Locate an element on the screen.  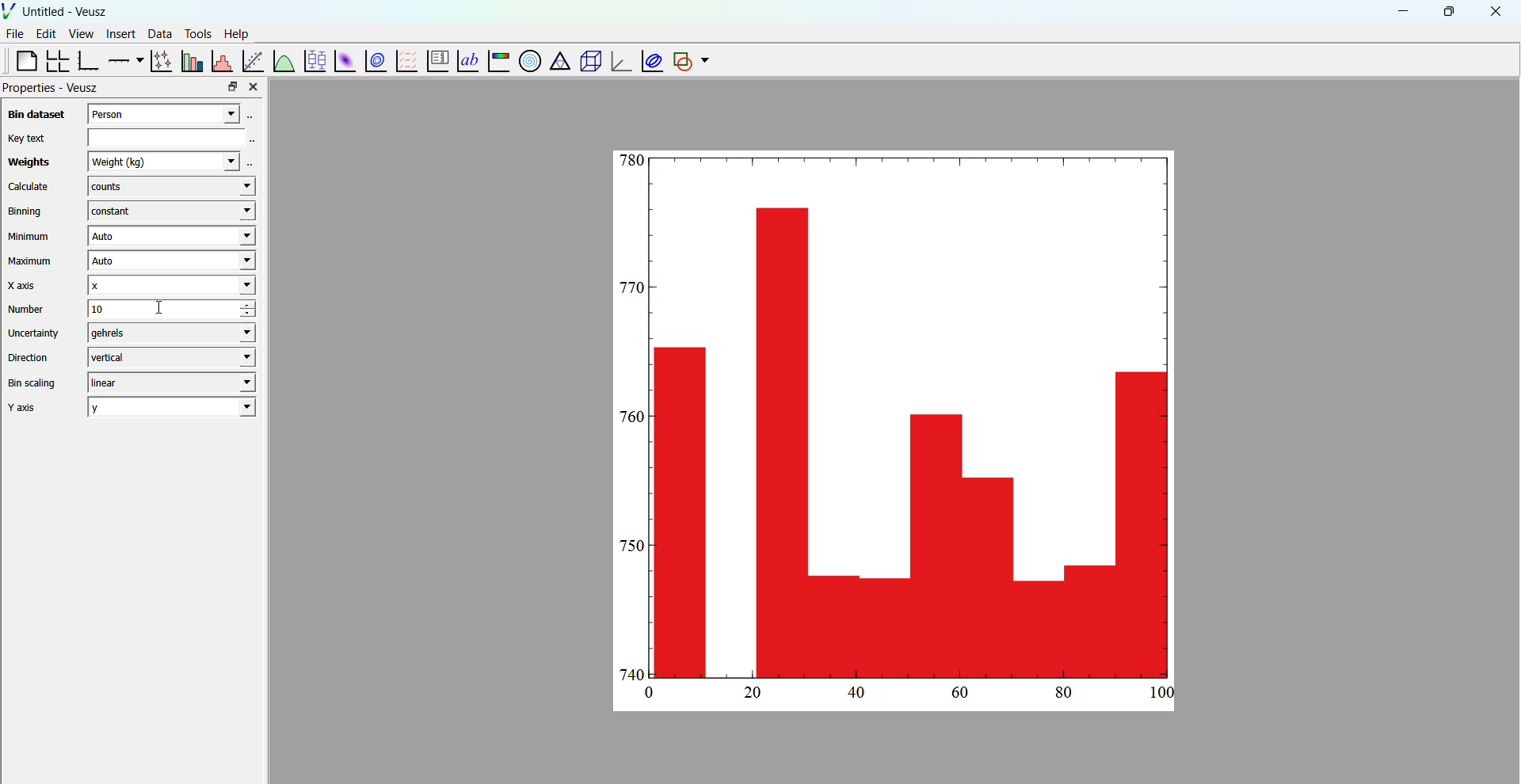
view is located at coordinates (81, 36).